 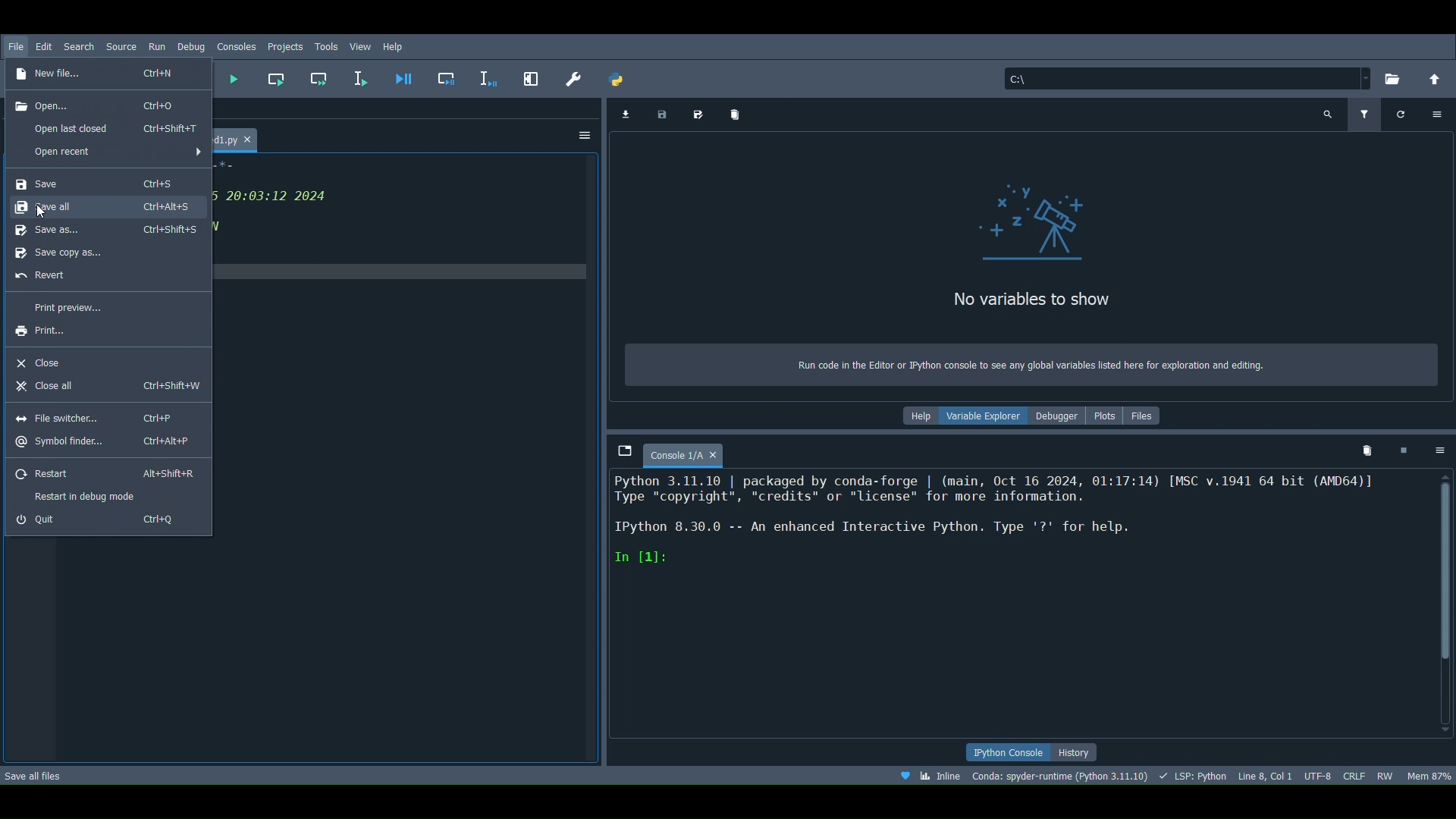 I want to click on Save all, so click(x=104, y=228).